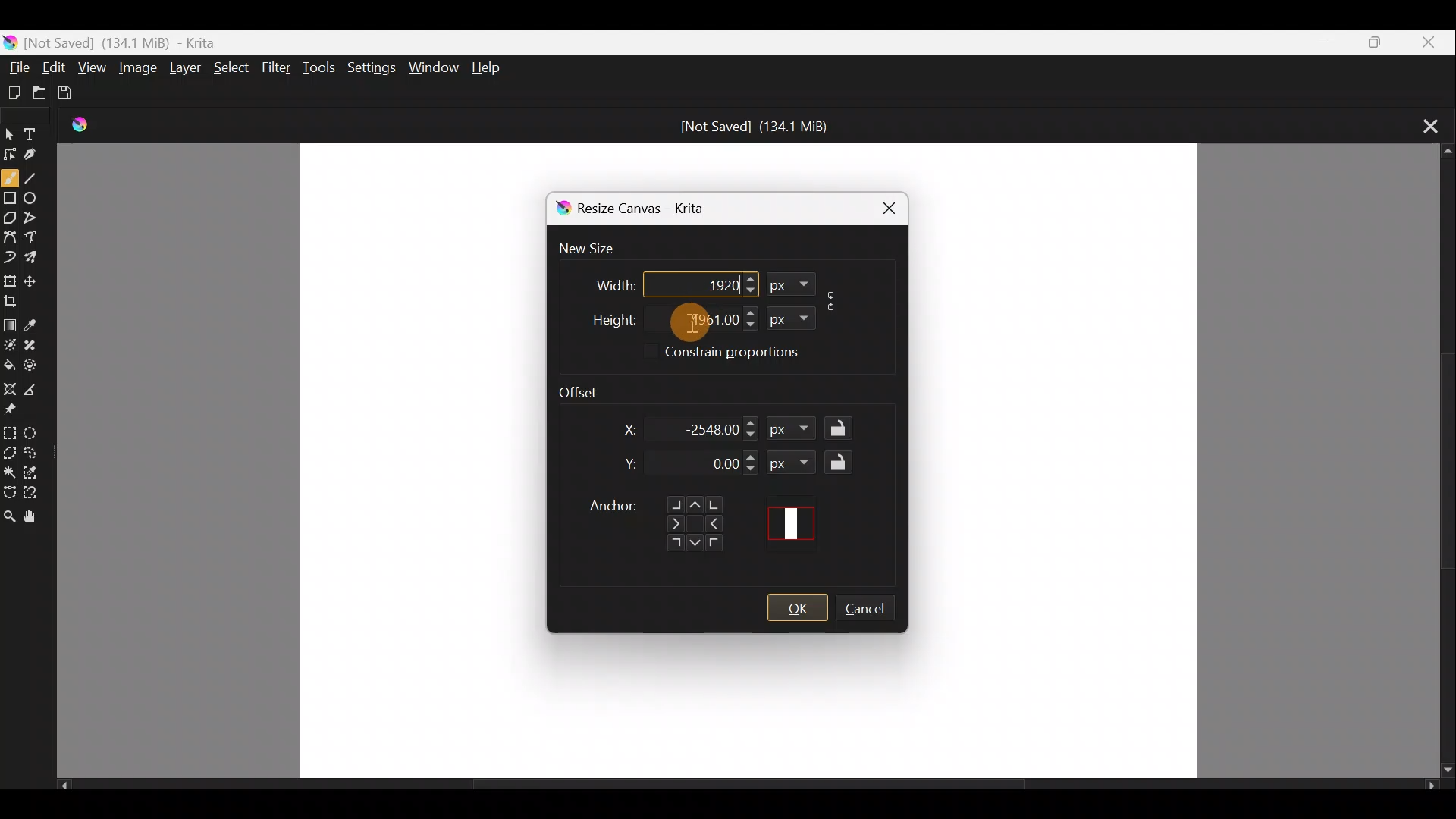 The image size is (1456, 819). What do you see at coordinates (658, 211) in the screenshot?
I see `Resize canvas - Krita` at bounding box center [658, 211].